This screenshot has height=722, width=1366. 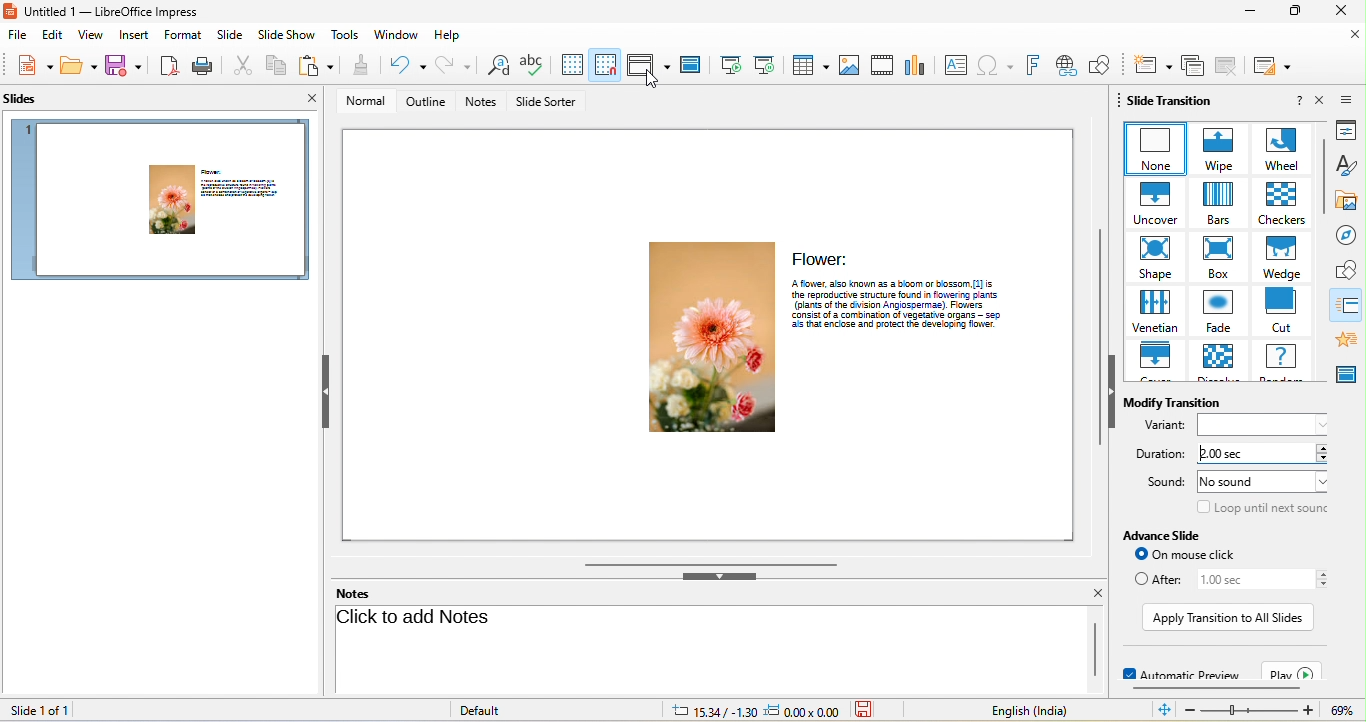 I want to click on new slide, so click(x=1149, y=64).